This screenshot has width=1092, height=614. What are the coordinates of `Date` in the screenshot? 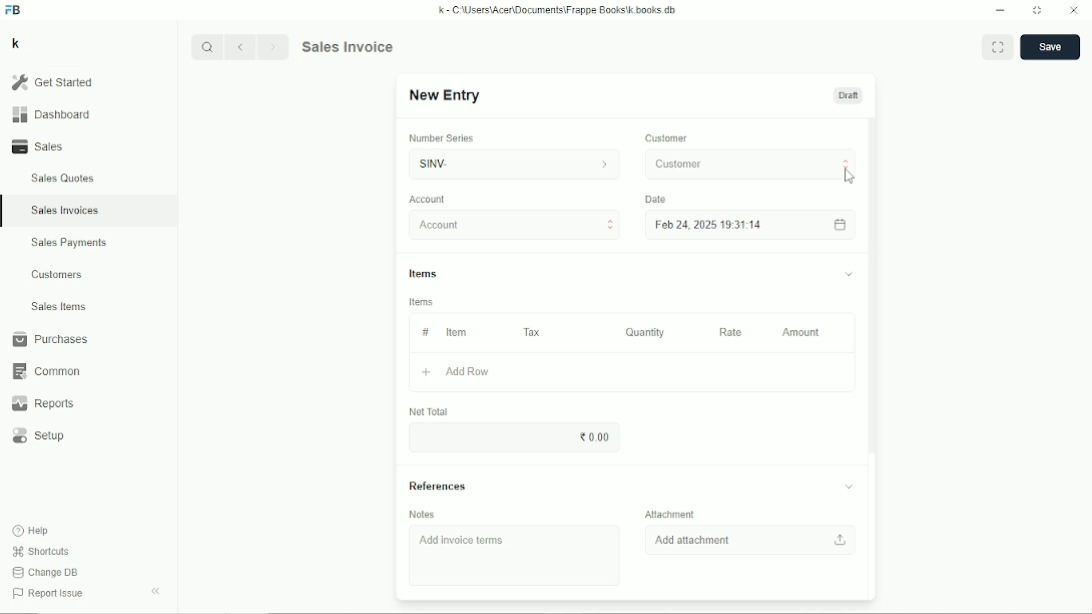 It's located at (655, 199).